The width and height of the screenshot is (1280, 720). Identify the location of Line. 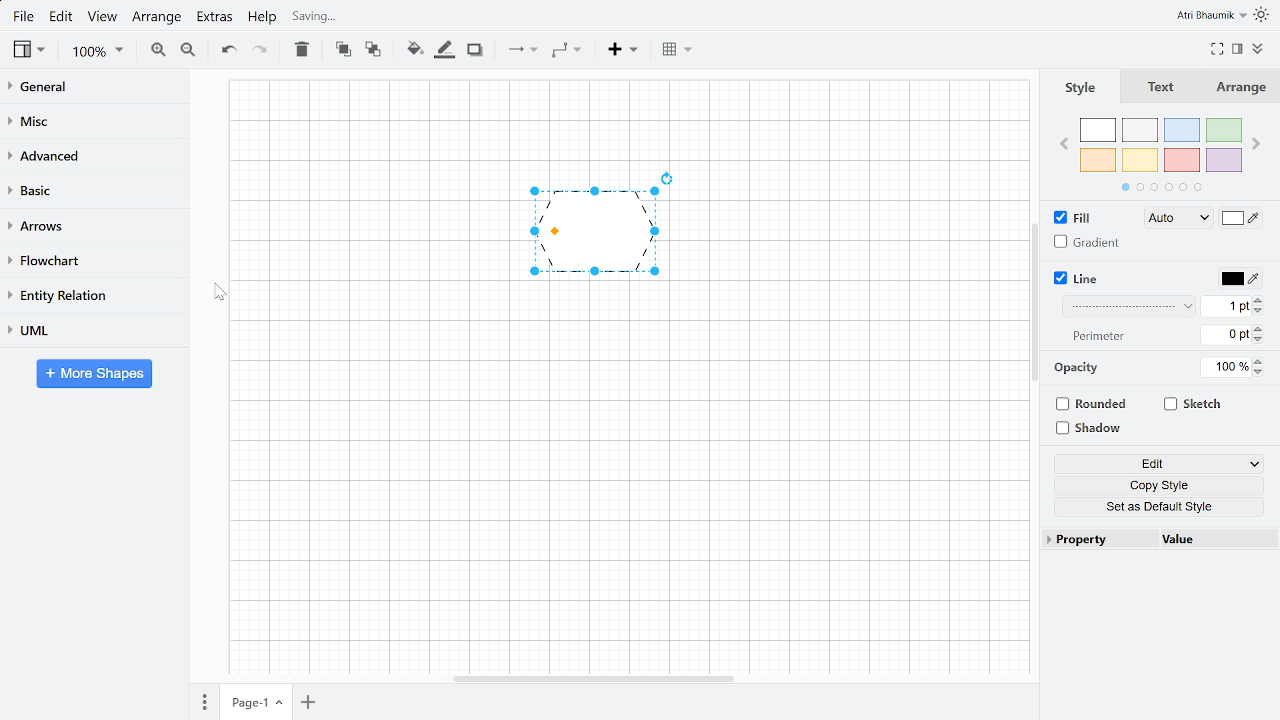
(1073, 279).